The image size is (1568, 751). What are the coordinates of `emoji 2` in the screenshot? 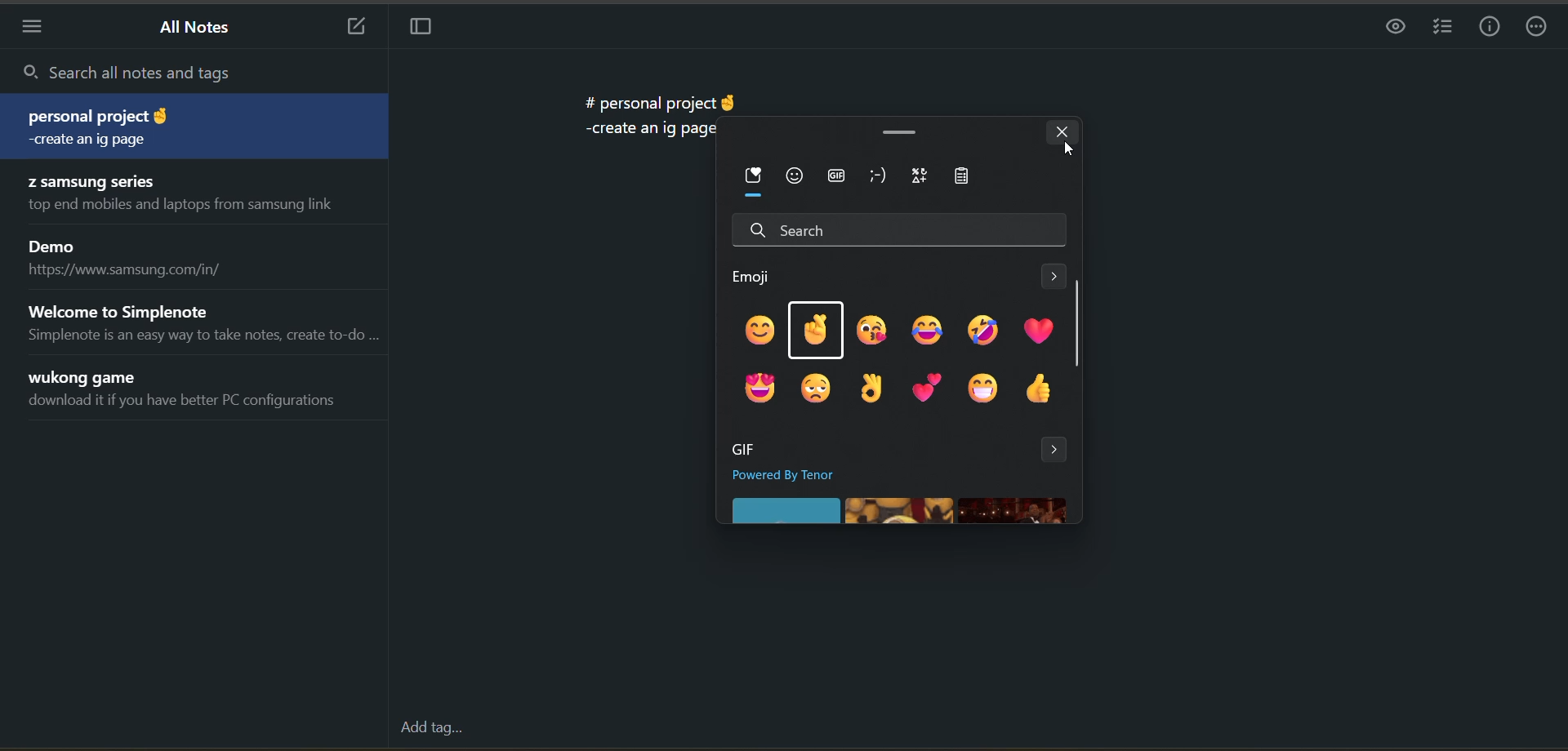 It's located at (813, 327).